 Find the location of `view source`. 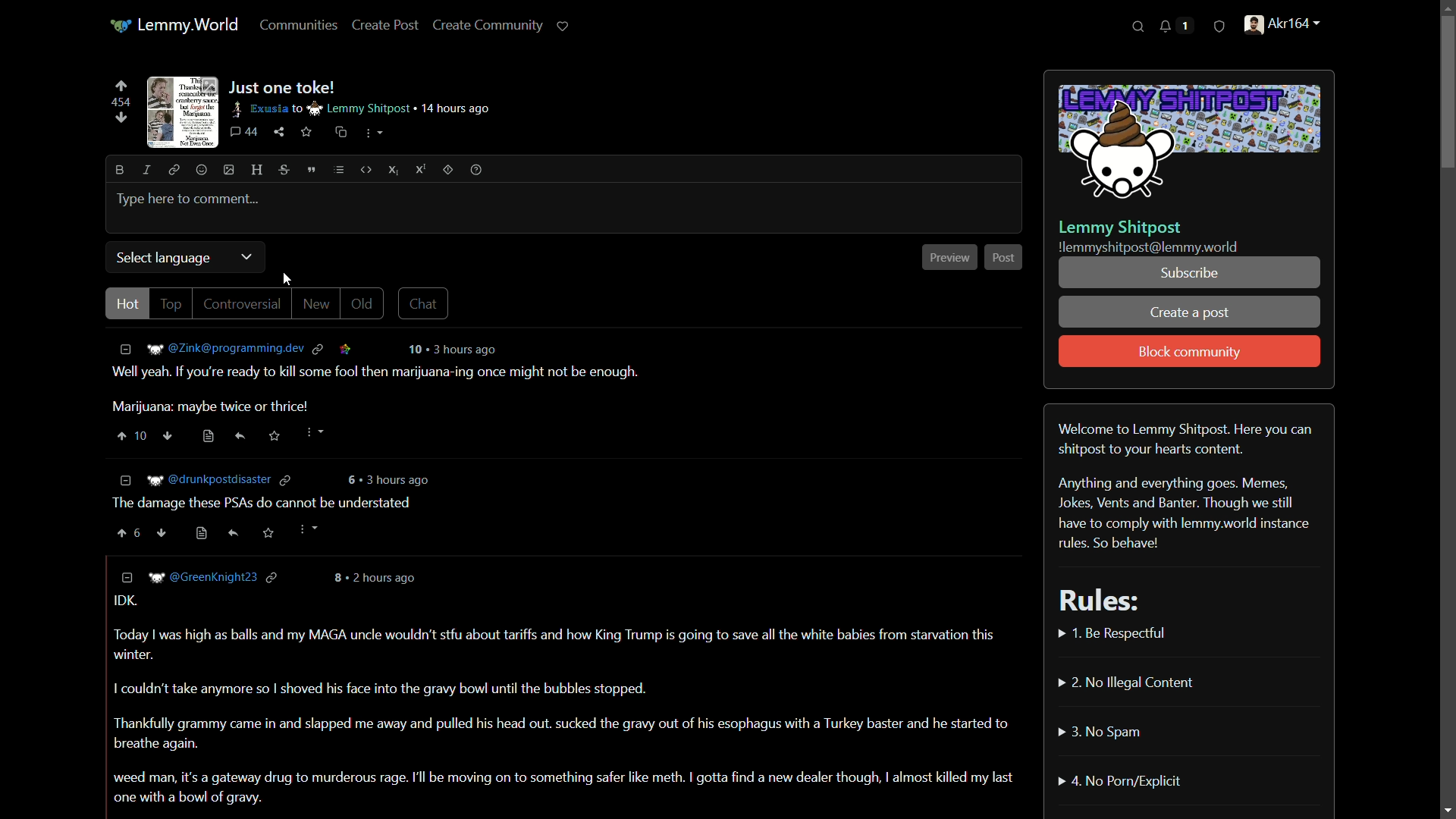

view source is located at coordinates (202, 533).